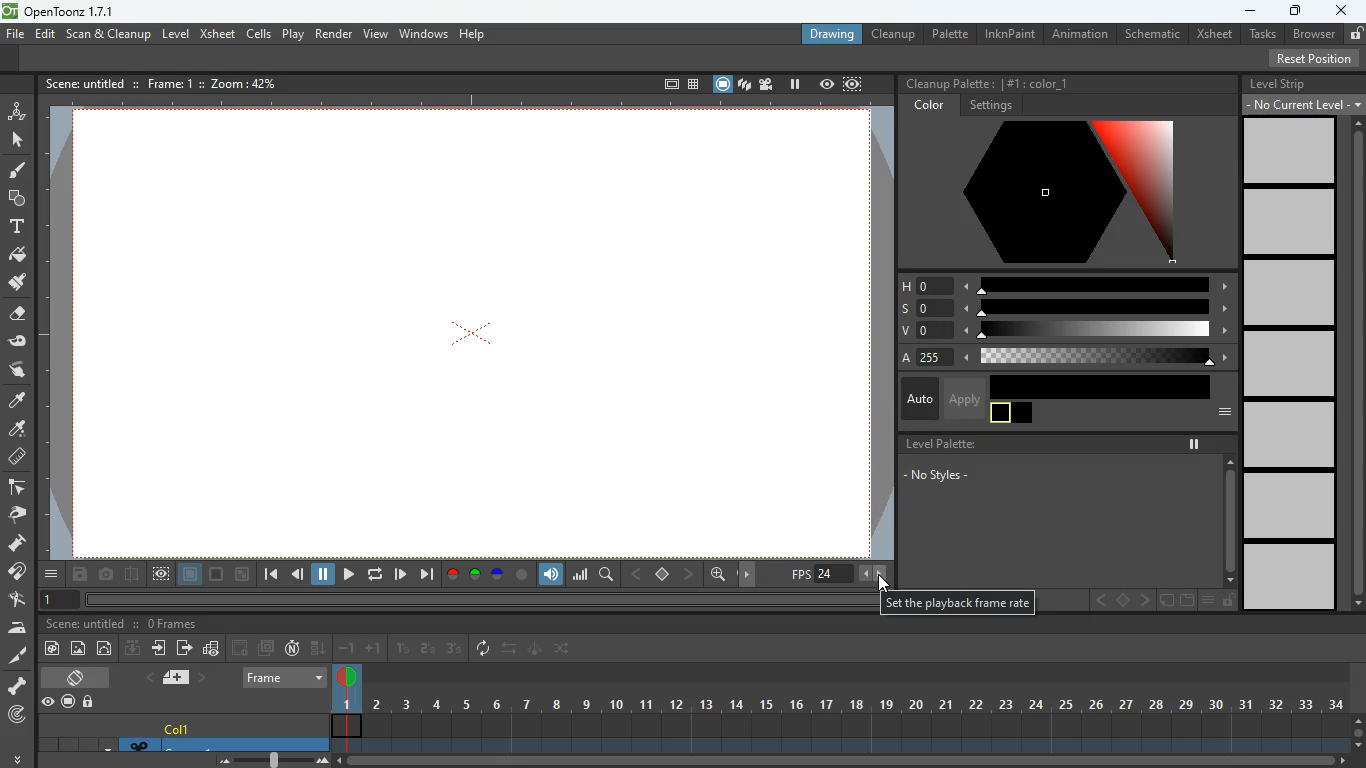 The image size is (1366, 768). I want to click on close, so click(1342, 9).